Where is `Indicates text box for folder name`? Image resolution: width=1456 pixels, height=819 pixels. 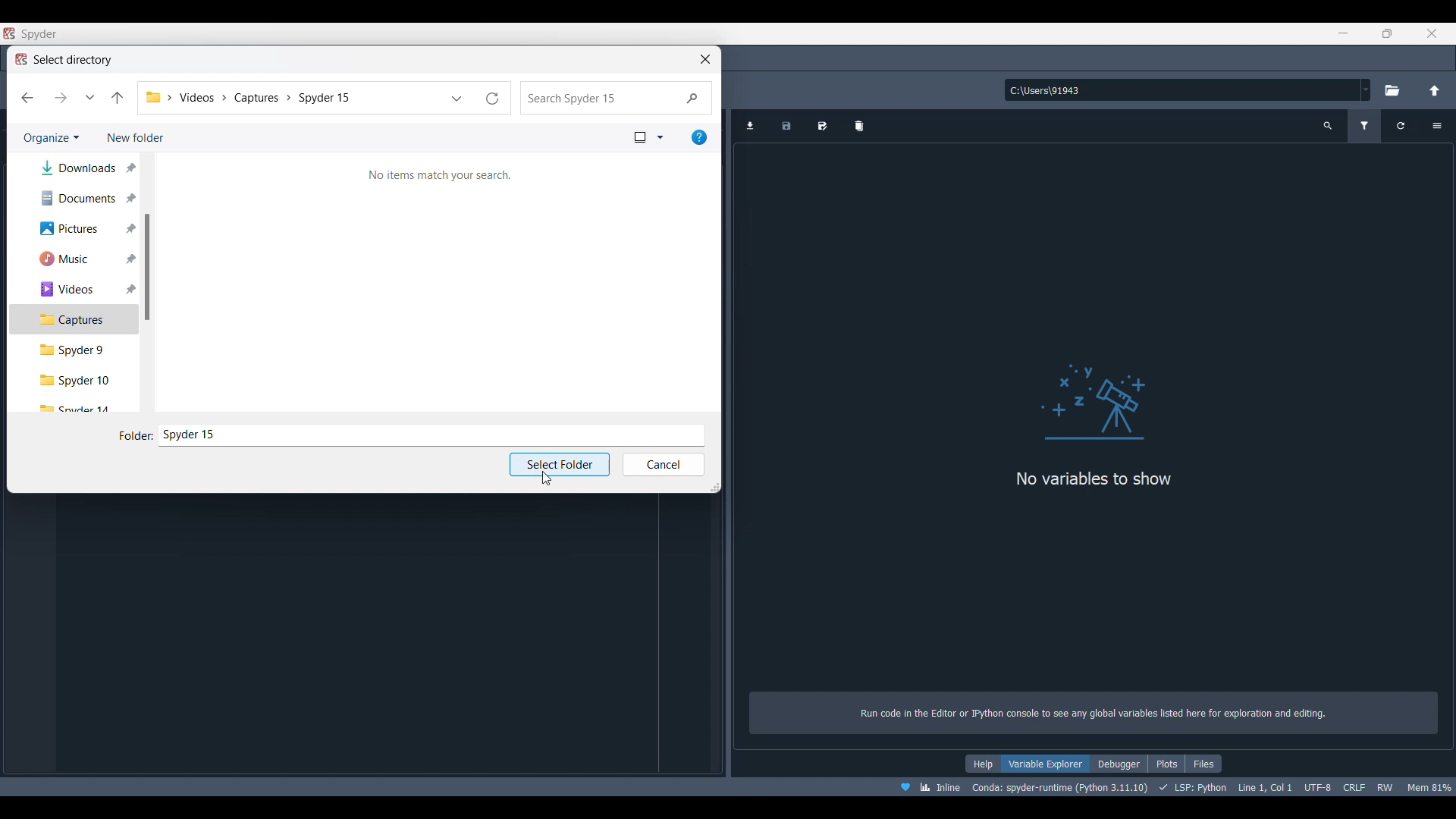
Indicates text box for folder name is located at coordinates (136, 437).